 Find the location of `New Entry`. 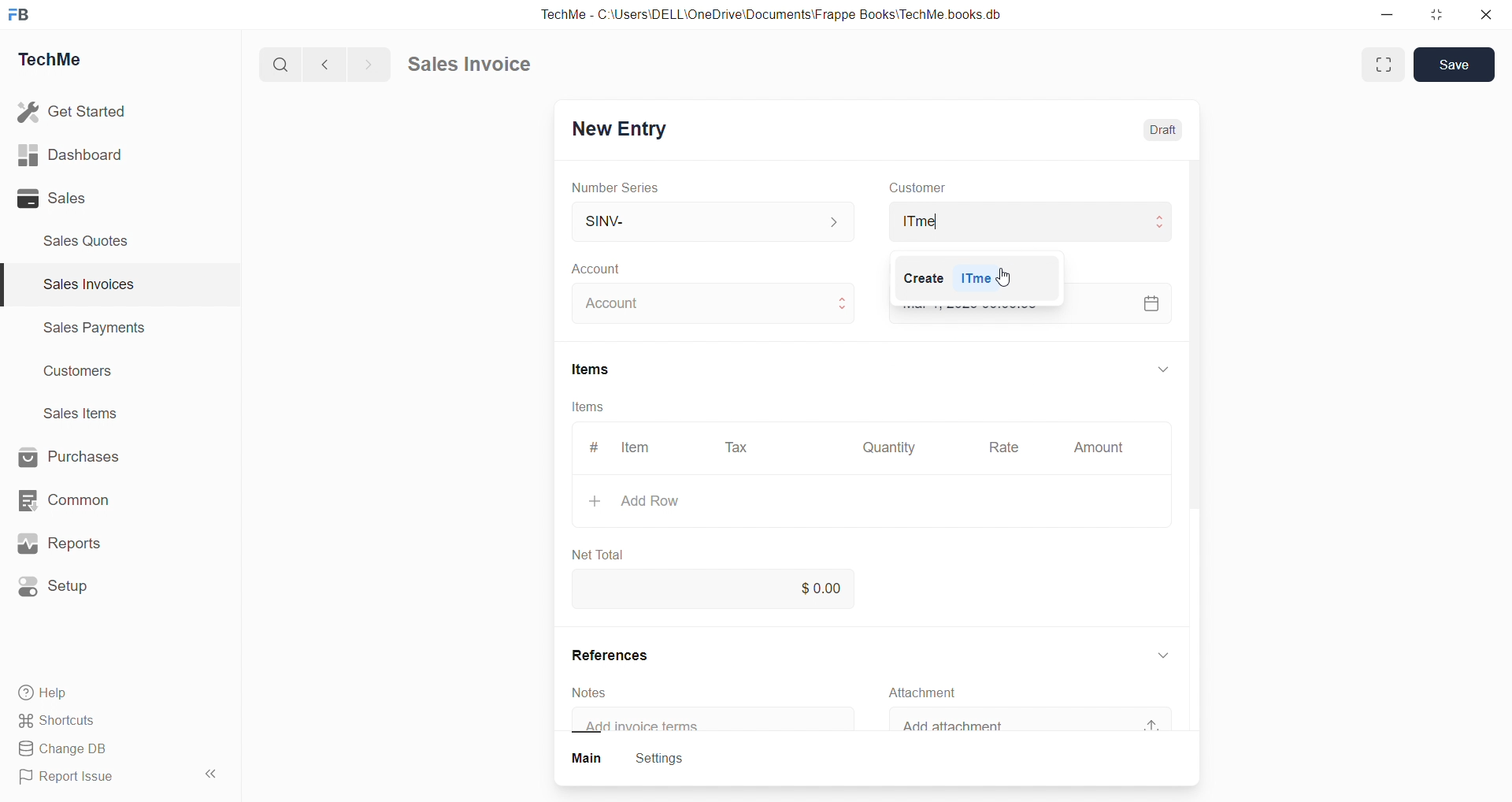

New Entry is located at coordinates (625, 126).